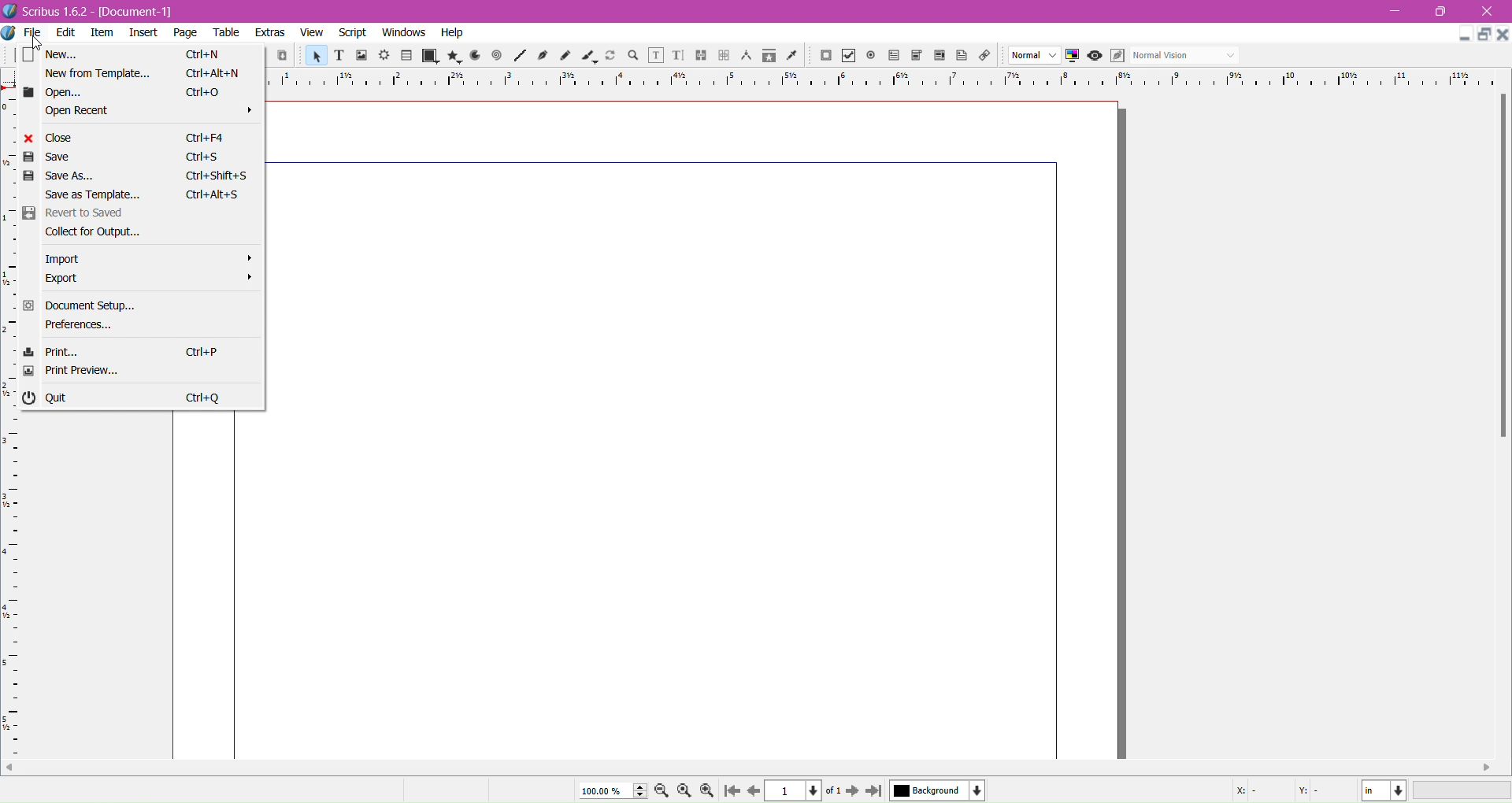  I want to click on horizontal ruler, so click(891, 80).